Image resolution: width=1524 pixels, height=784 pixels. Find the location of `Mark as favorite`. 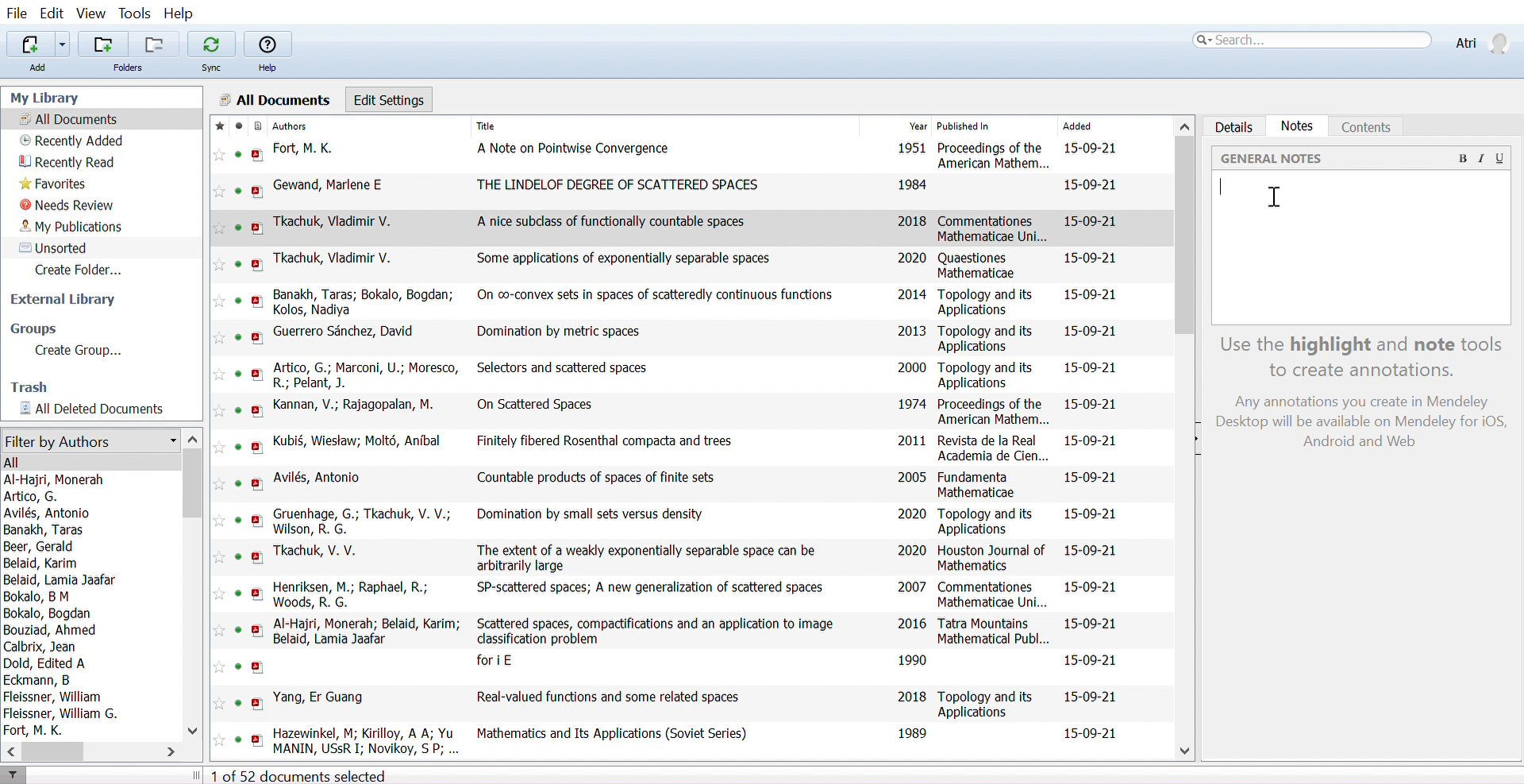

Mark as favorite is located at coordinates (217, 126).